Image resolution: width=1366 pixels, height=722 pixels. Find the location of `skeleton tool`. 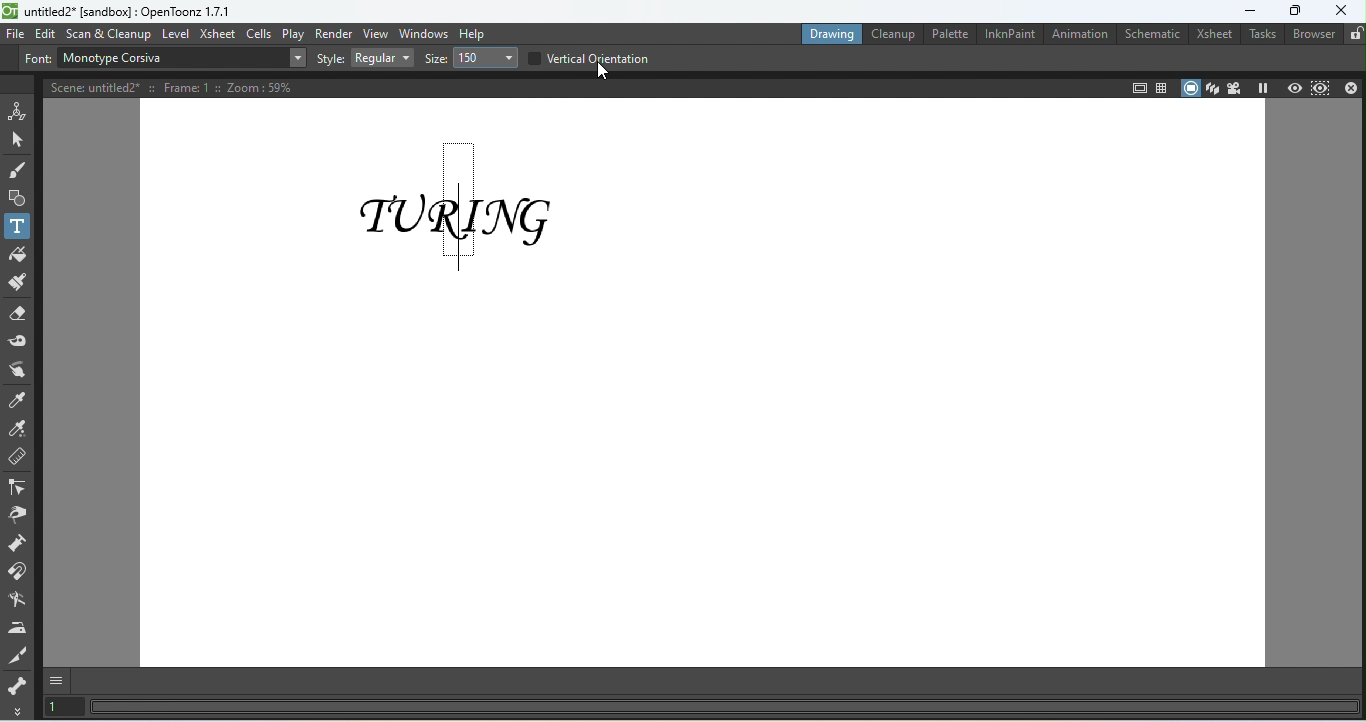

skeleton tool is located at coordinates (17, 684).